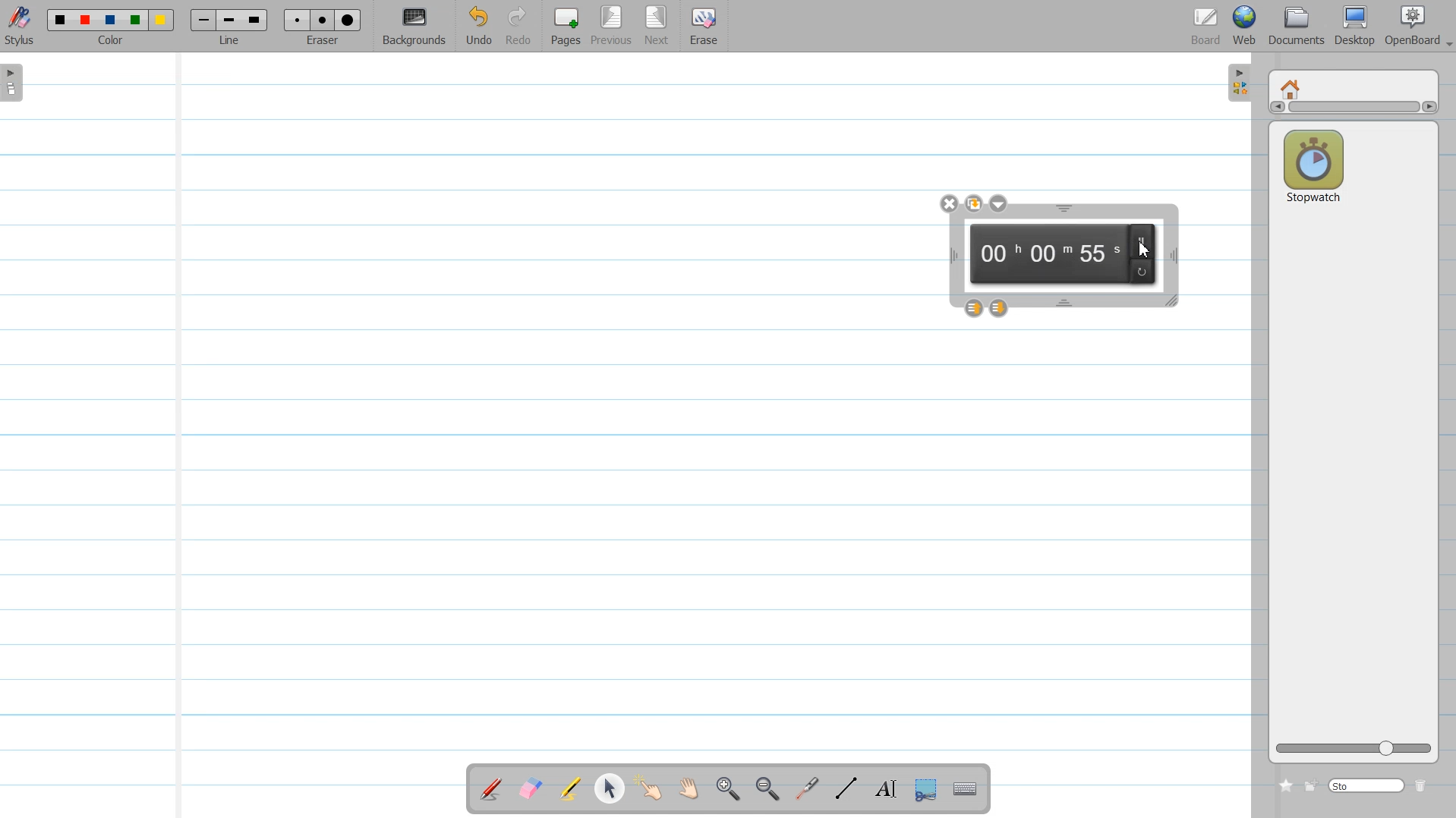 The image size is (1456, 818). What do you see at coordinates (692, 788) in the screenshot?
I see `Scroll Page` at bounding box center [692, 788].